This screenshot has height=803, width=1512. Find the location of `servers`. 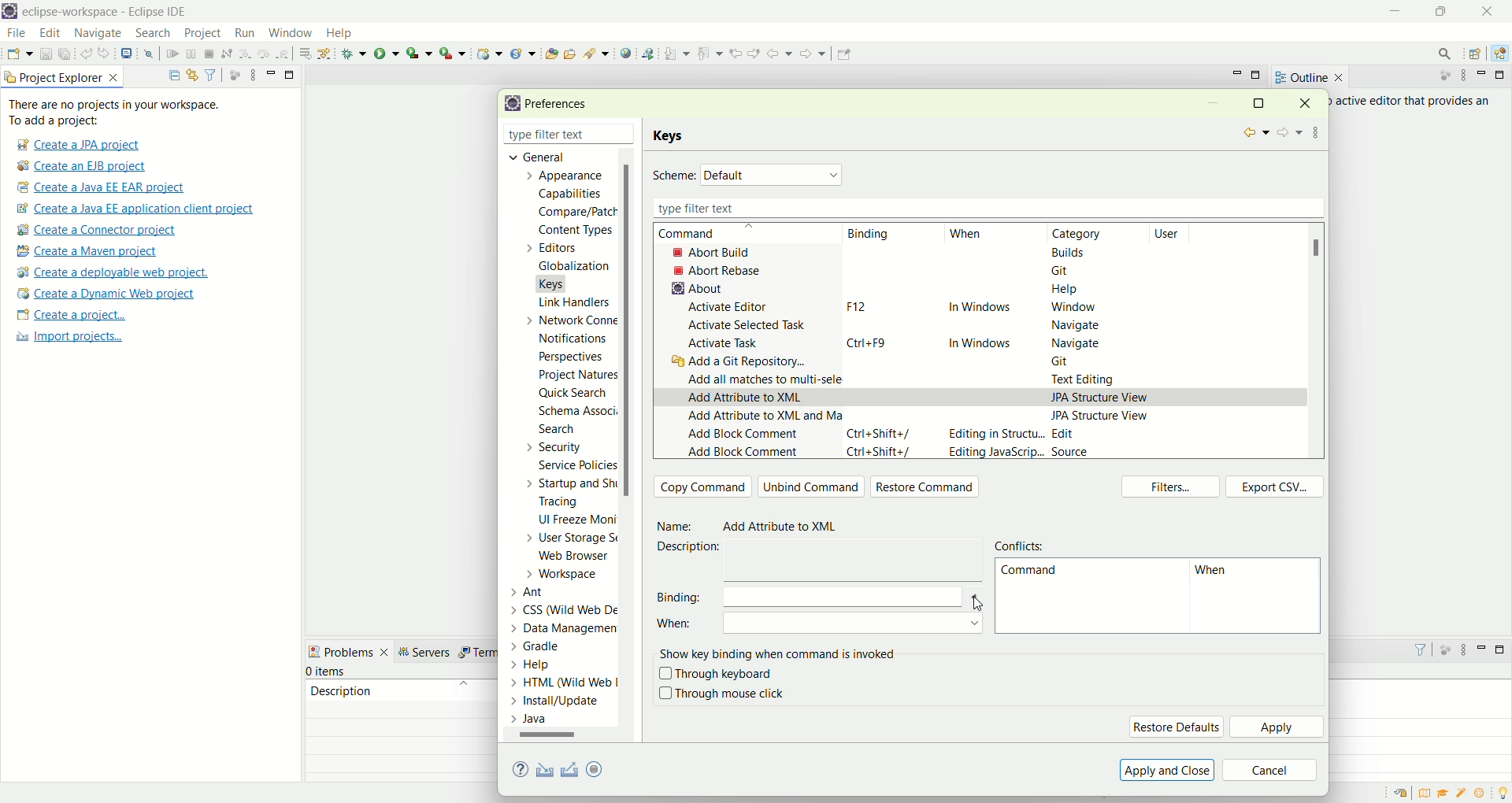

servers is located at coordinates (428, 652).